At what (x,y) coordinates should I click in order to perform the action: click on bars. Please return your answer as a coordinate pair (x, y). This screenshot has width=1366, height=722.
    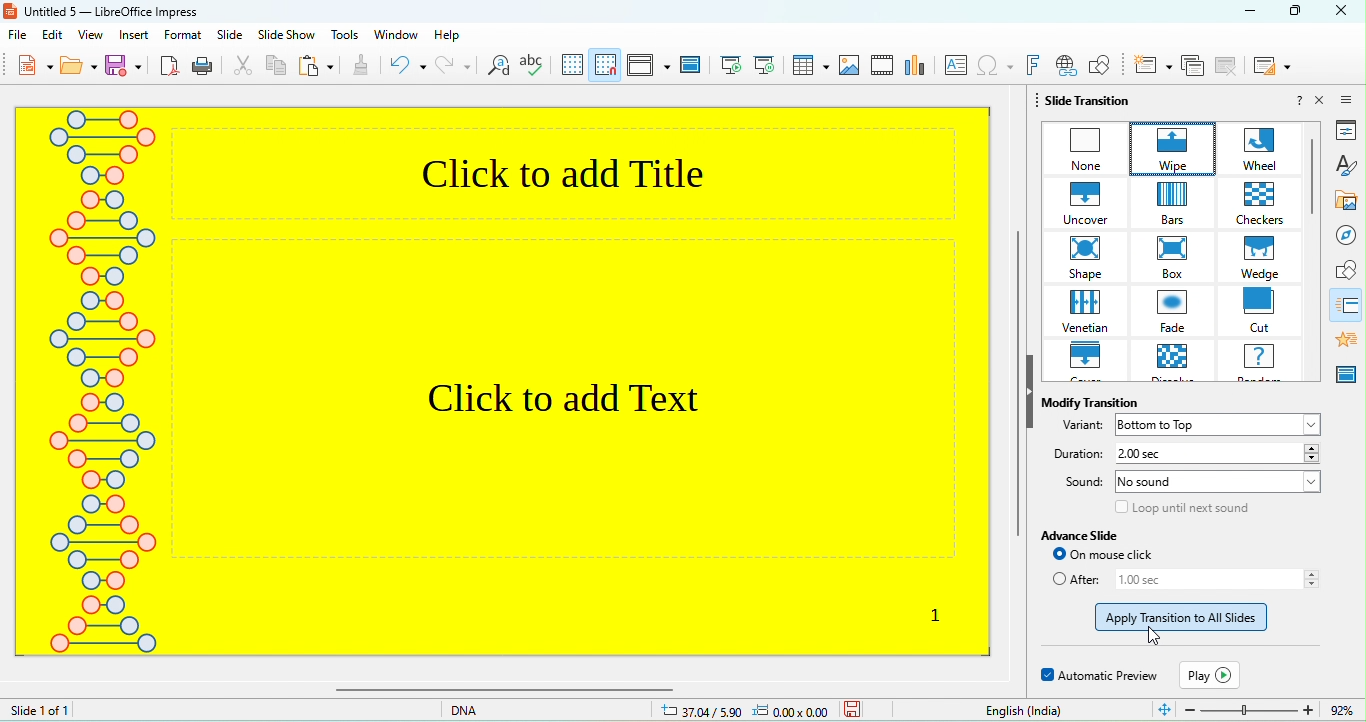
    Looking at the image, I should click on (1182, 204).